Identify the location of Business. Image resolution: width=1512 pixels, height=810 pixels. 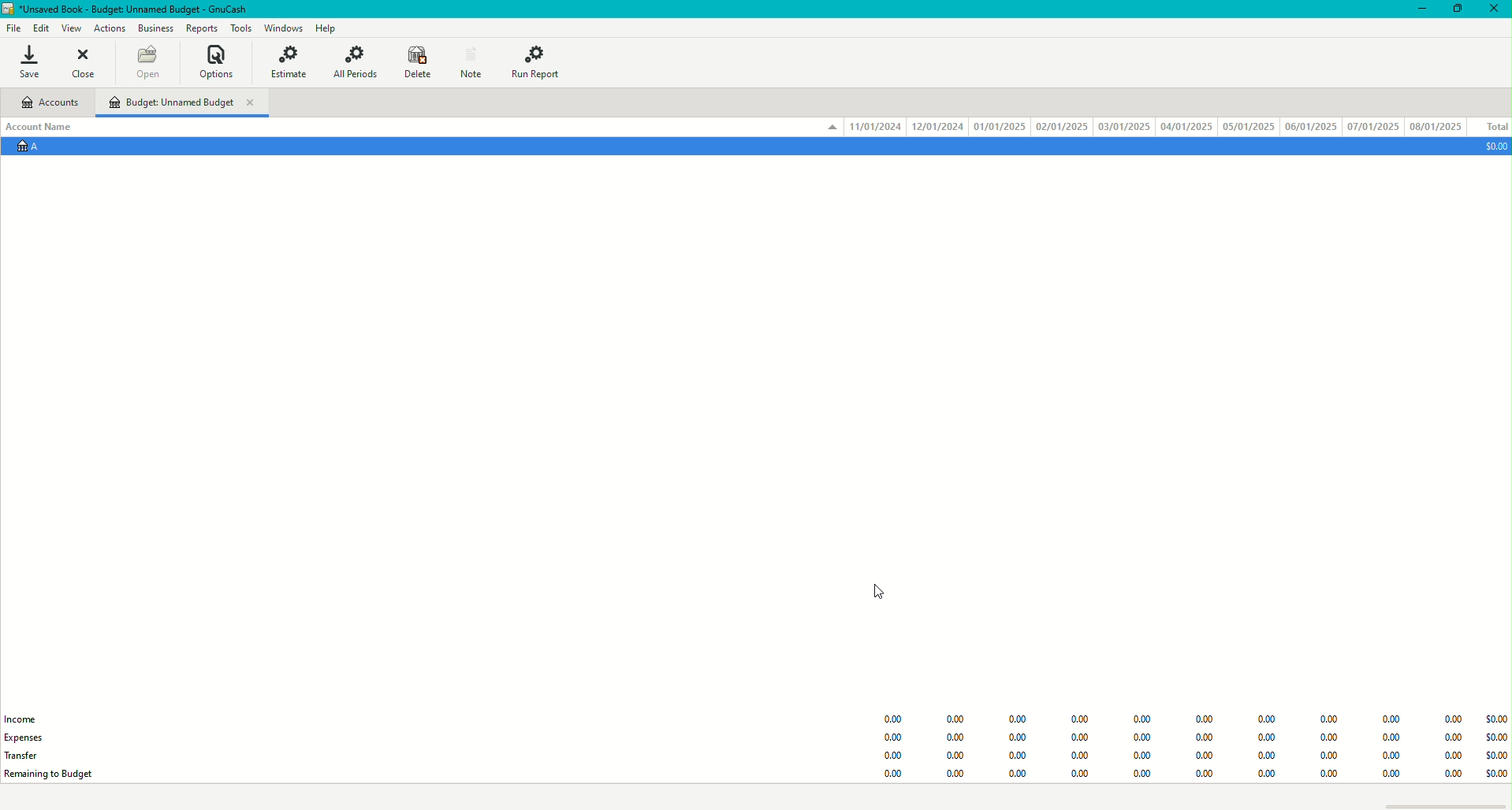
(156, 28).